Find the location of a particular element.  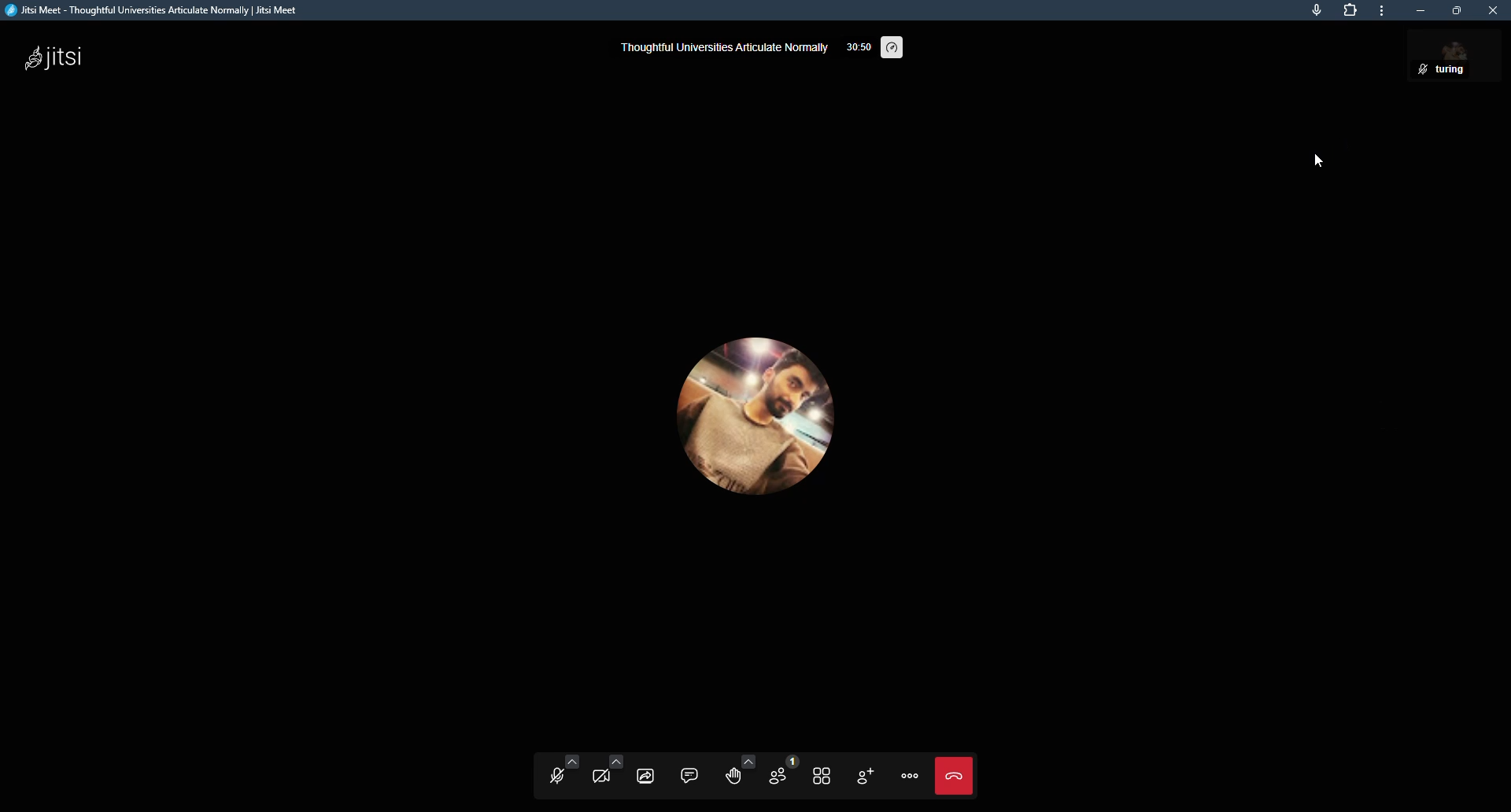

minimize is located at coordinates (1420, 11).